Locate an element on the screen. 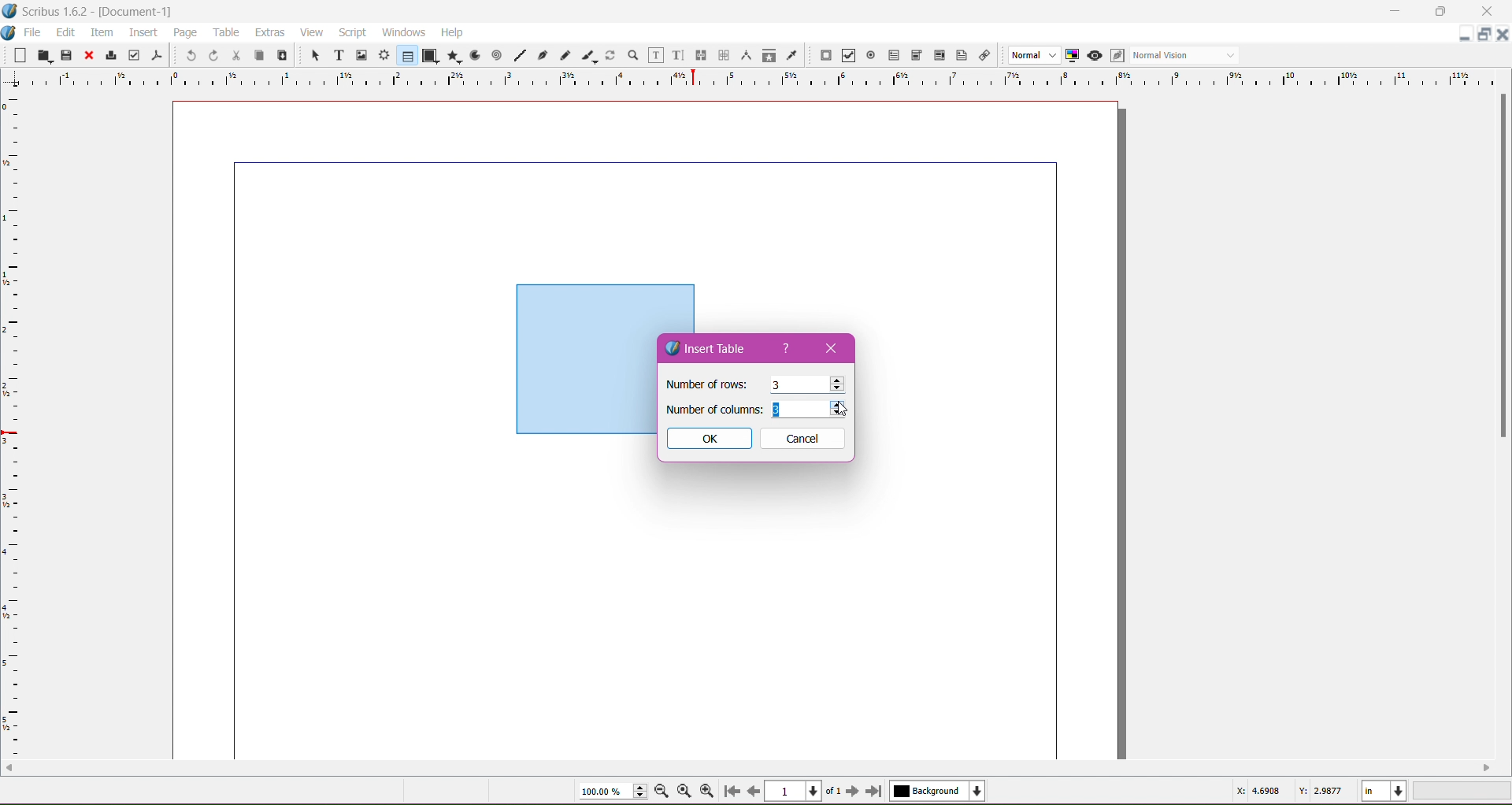  Checkbox is located at coordinates (847, 57).